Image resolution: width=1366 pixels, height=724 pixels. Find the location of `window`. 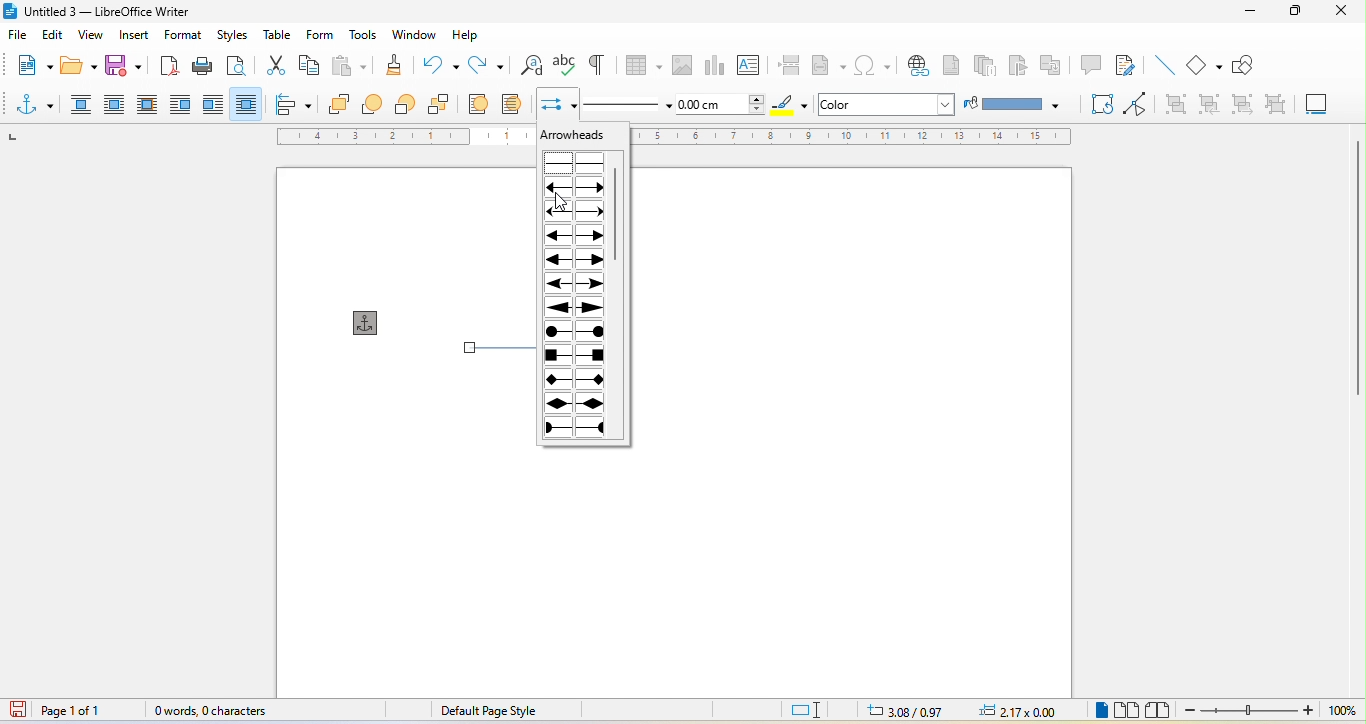

window is located at coordinates (414, 35).